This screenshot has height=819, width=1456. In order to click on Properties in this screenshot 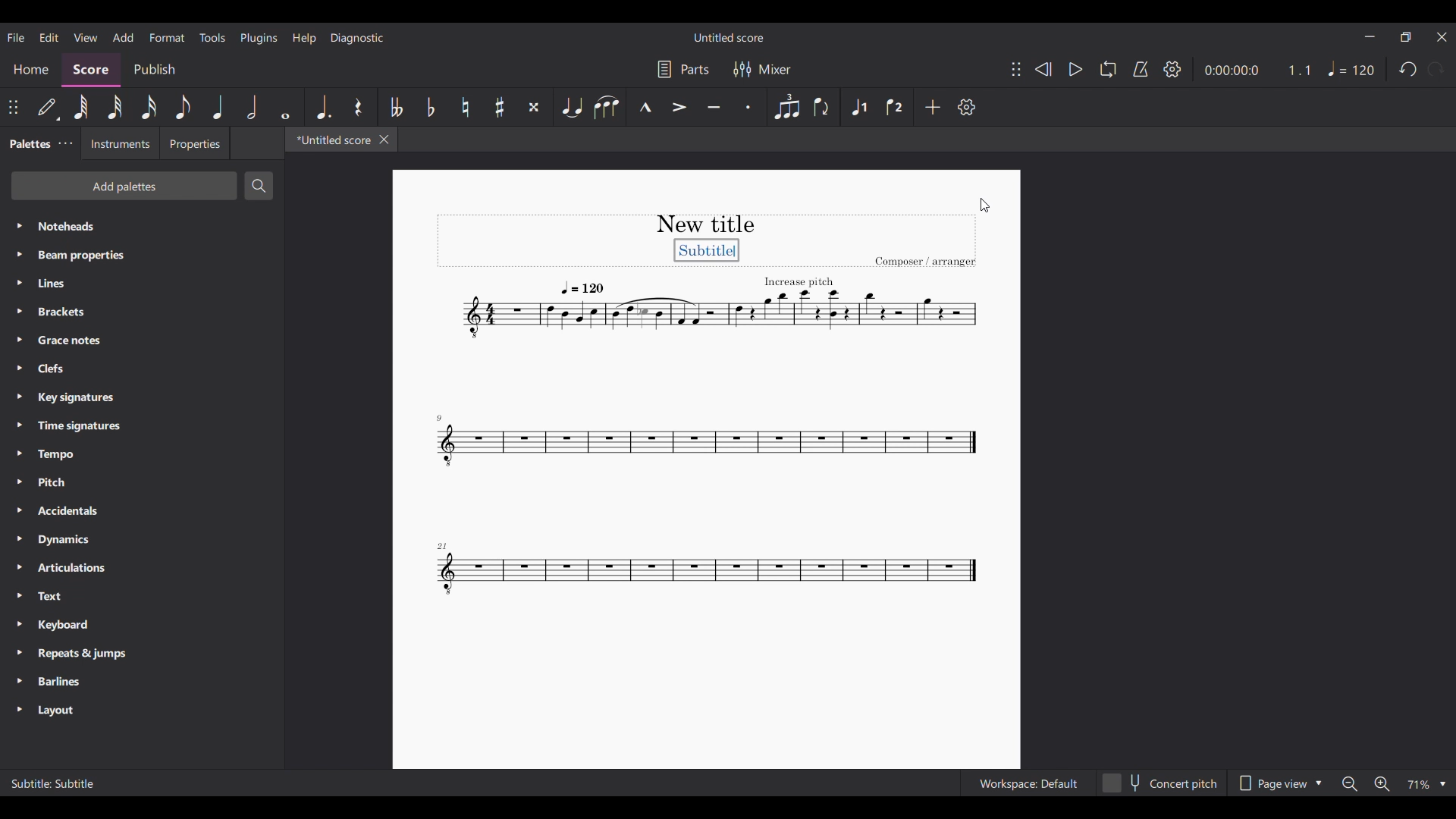, I will do `click(194, 143)`.